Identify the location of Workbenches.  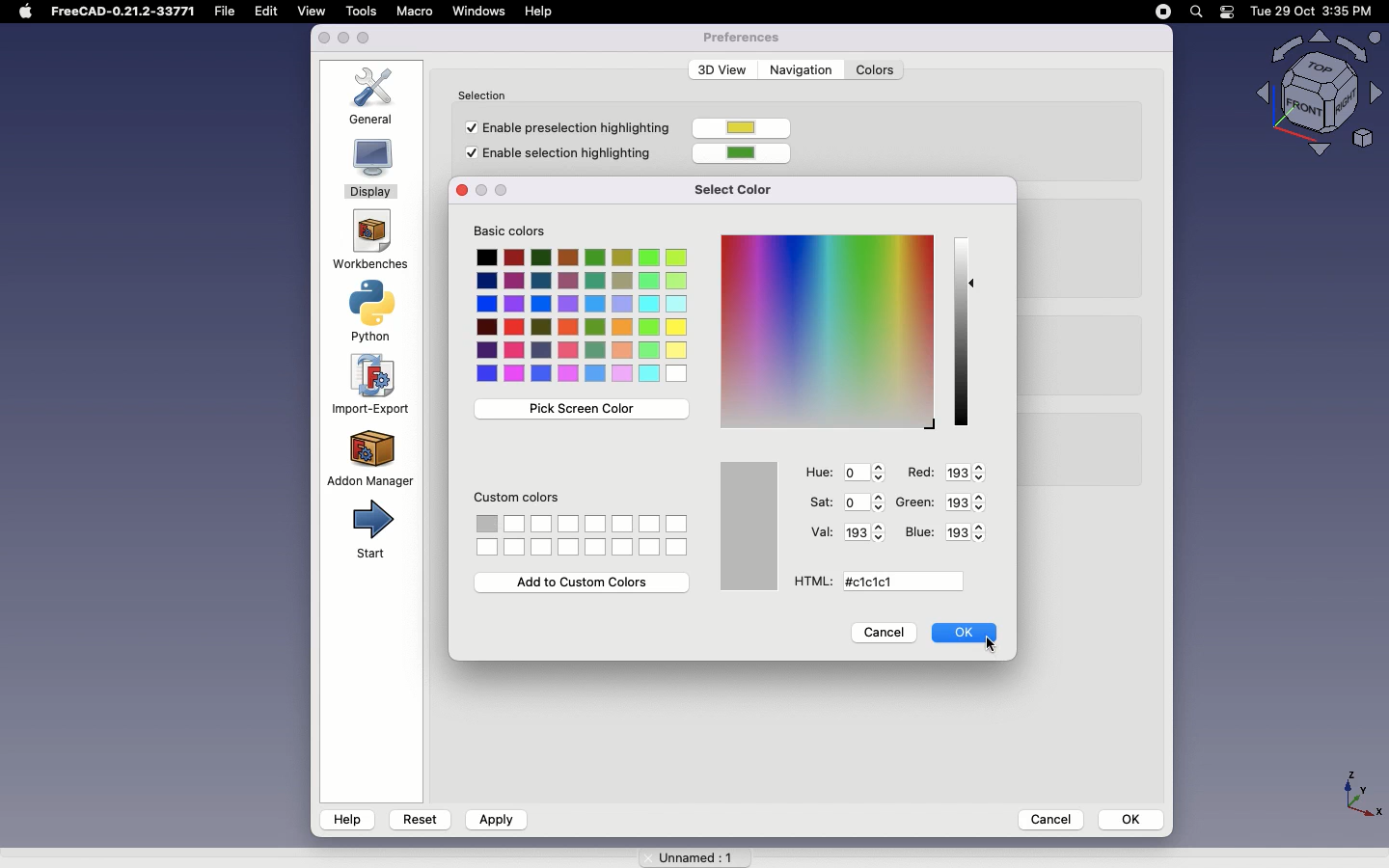
(368, 241).